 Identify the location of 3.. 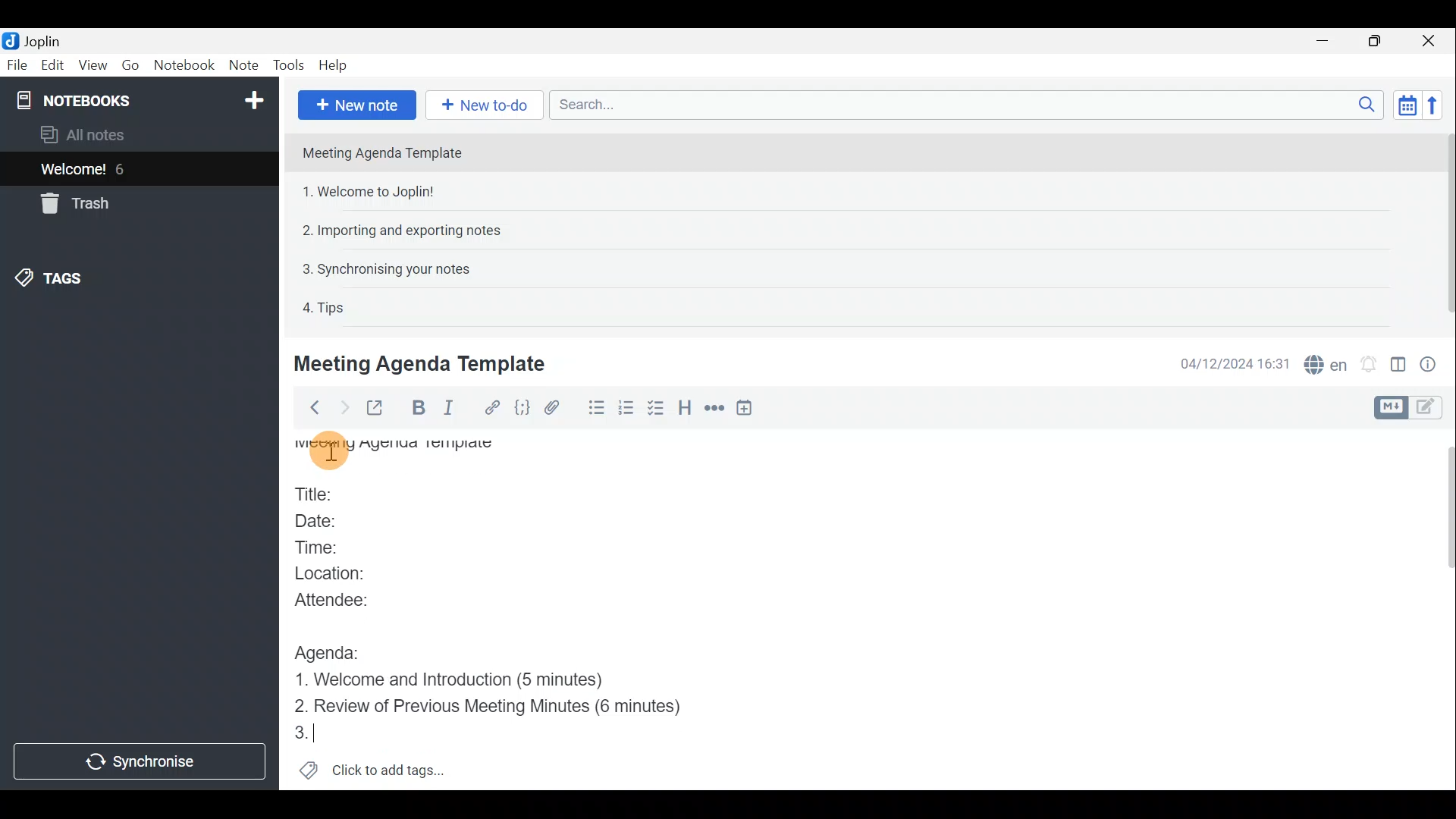
(322, 734).